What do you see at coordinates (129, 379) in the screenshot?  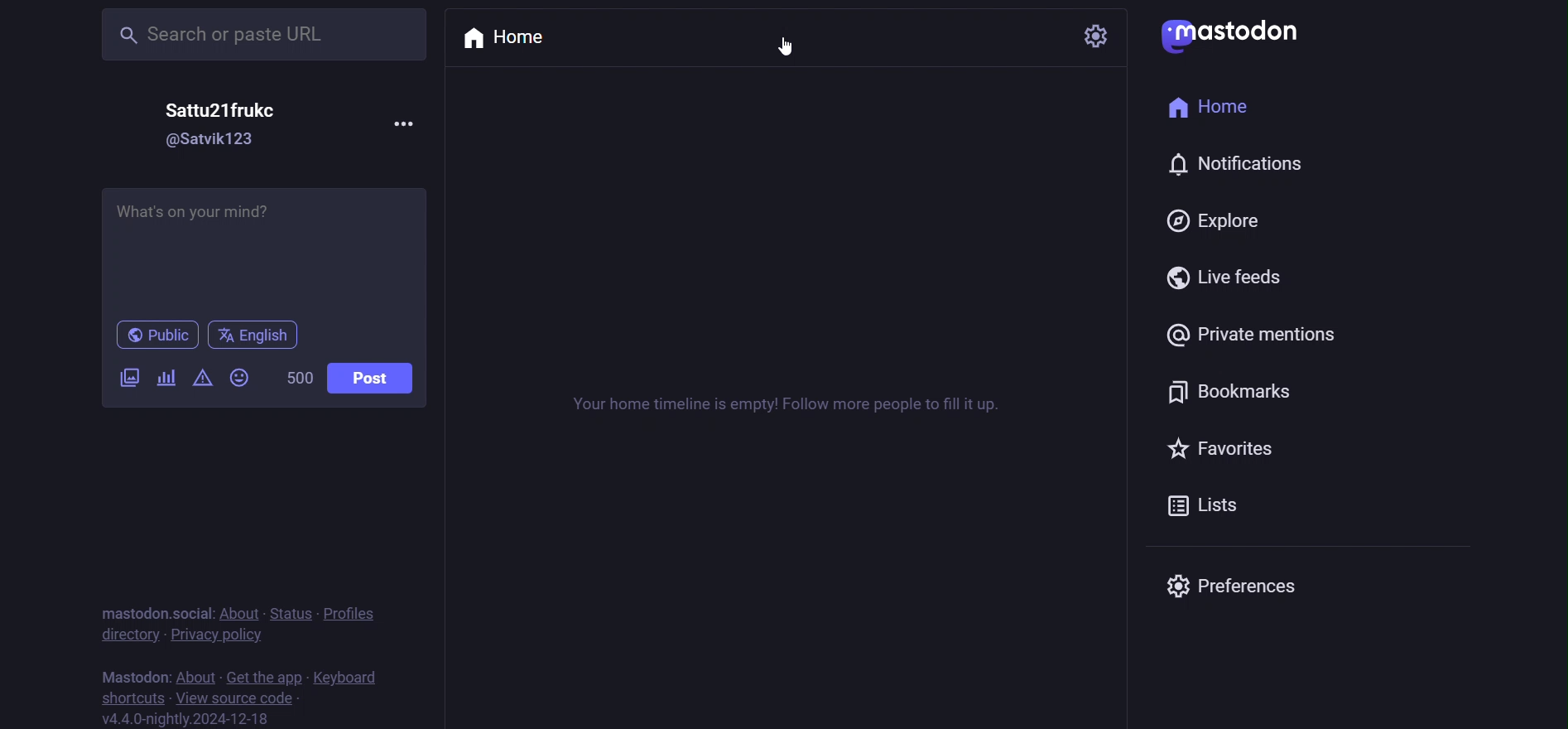 I see `video/image` at bounding box center [129, 379].